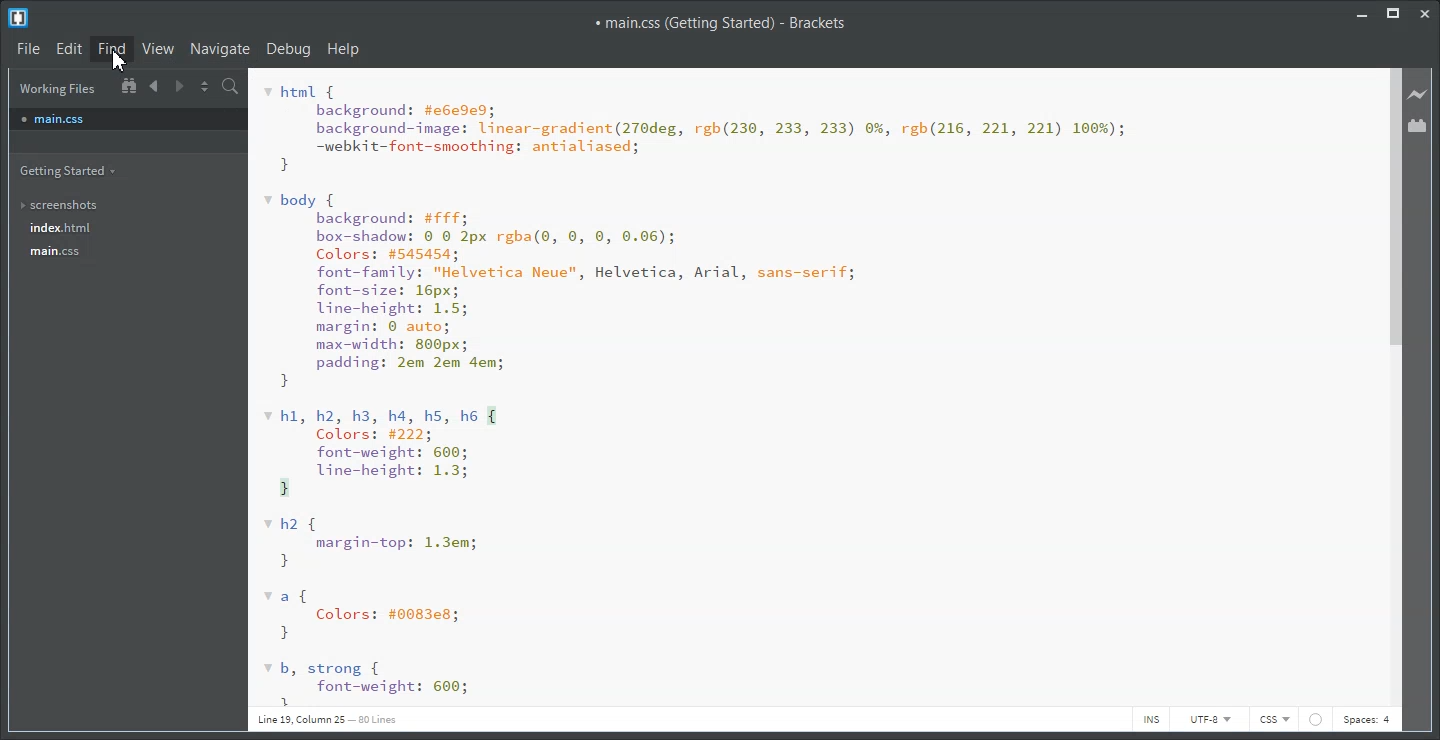 This screenshot has width=1440, height=740. Describe the element at coordinates (1150, 719) in the screenshot. I see `INS` at that location.